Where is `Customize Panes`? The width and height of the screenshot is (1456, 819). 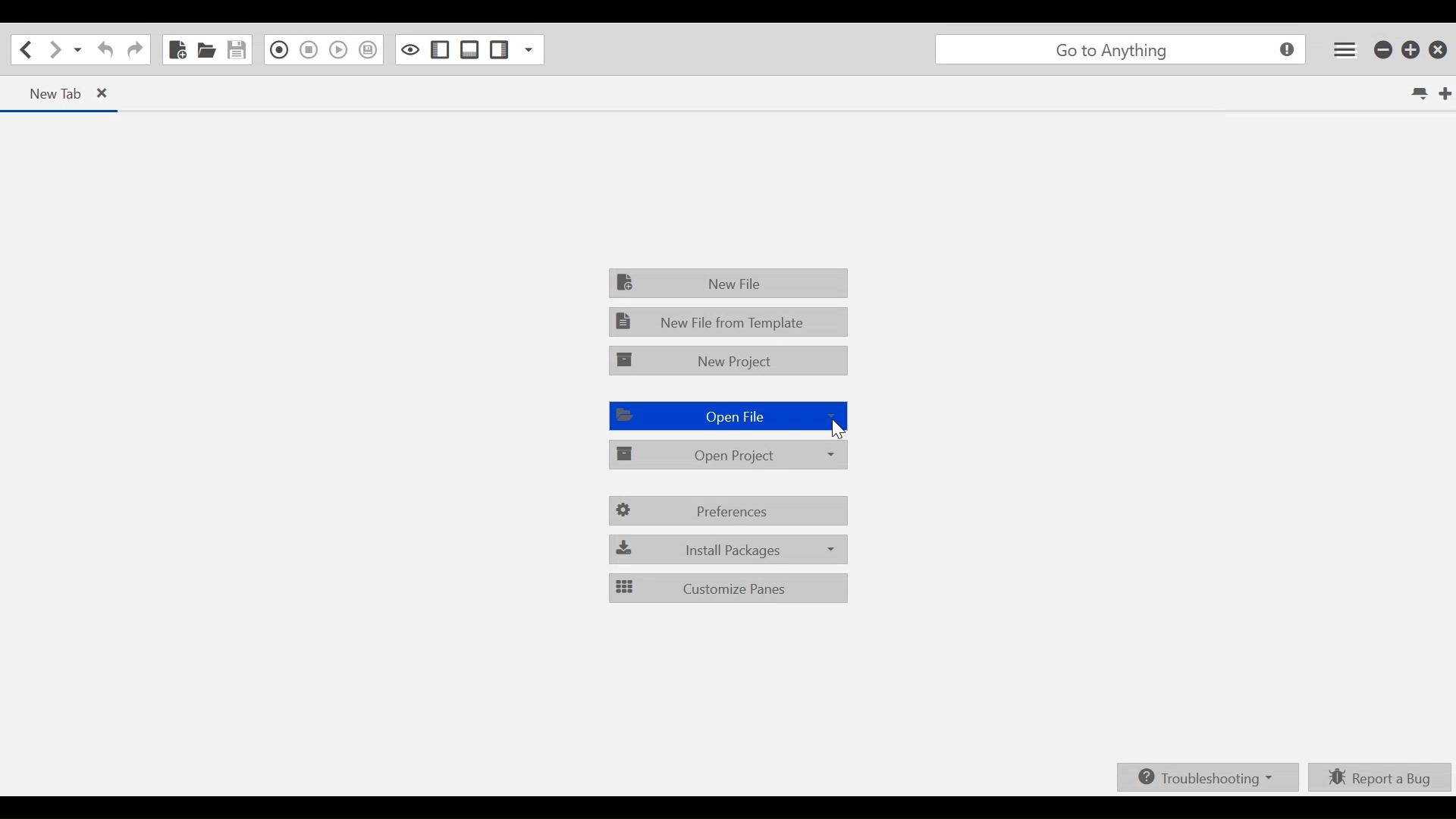
Customize Panes is located at coordinates (726, 588).